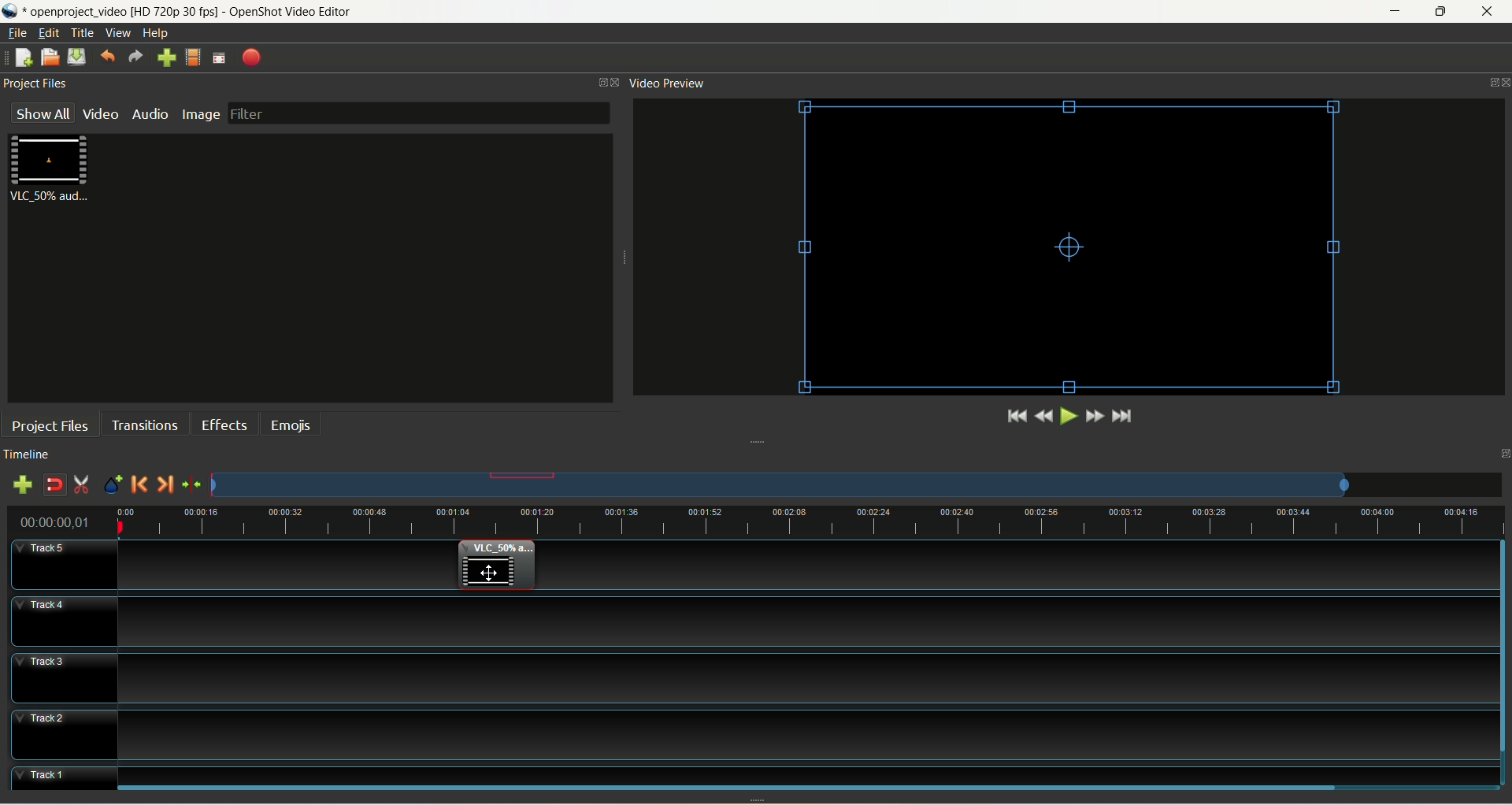  Describe the element at coordinates (213, 10) in the screenshot. I see `openproject_video [HD 720p 30 fps] - OpenShot Video Editor` at that location.